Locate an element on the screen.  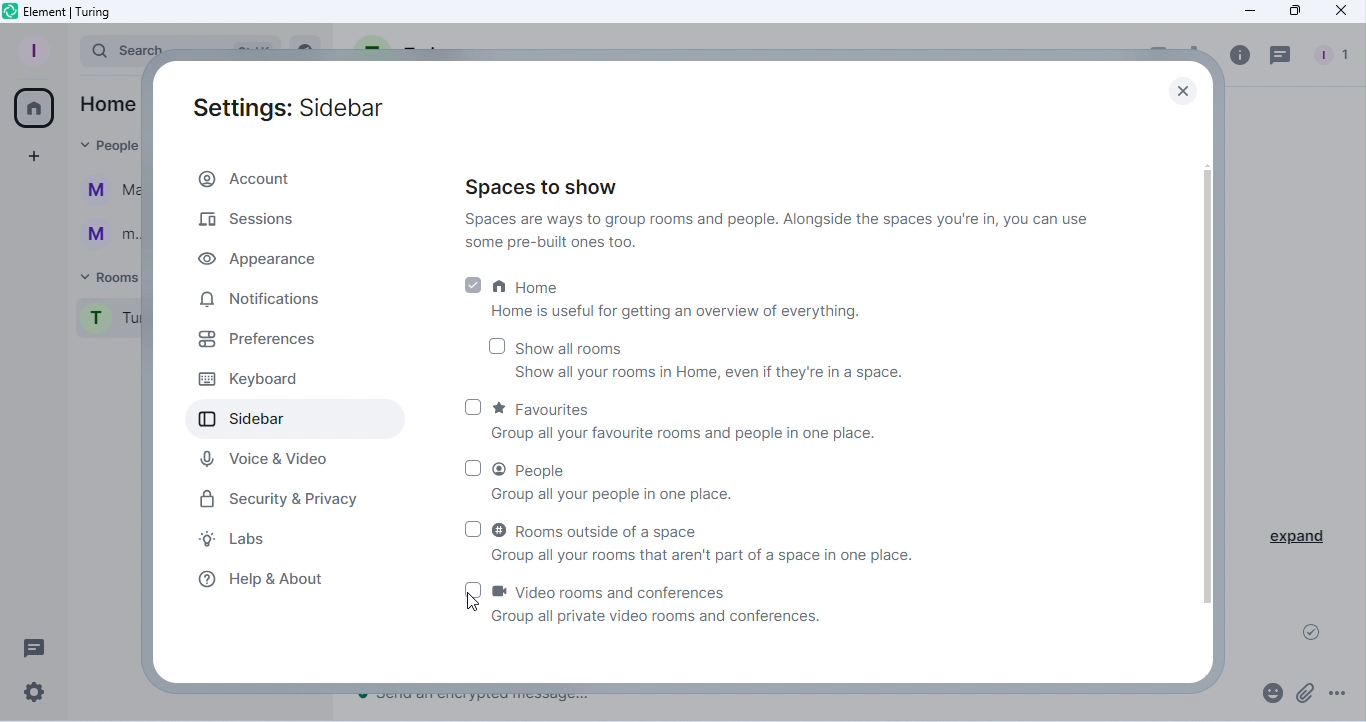
Video rooms and conferences is located at coordinates (649, 600).